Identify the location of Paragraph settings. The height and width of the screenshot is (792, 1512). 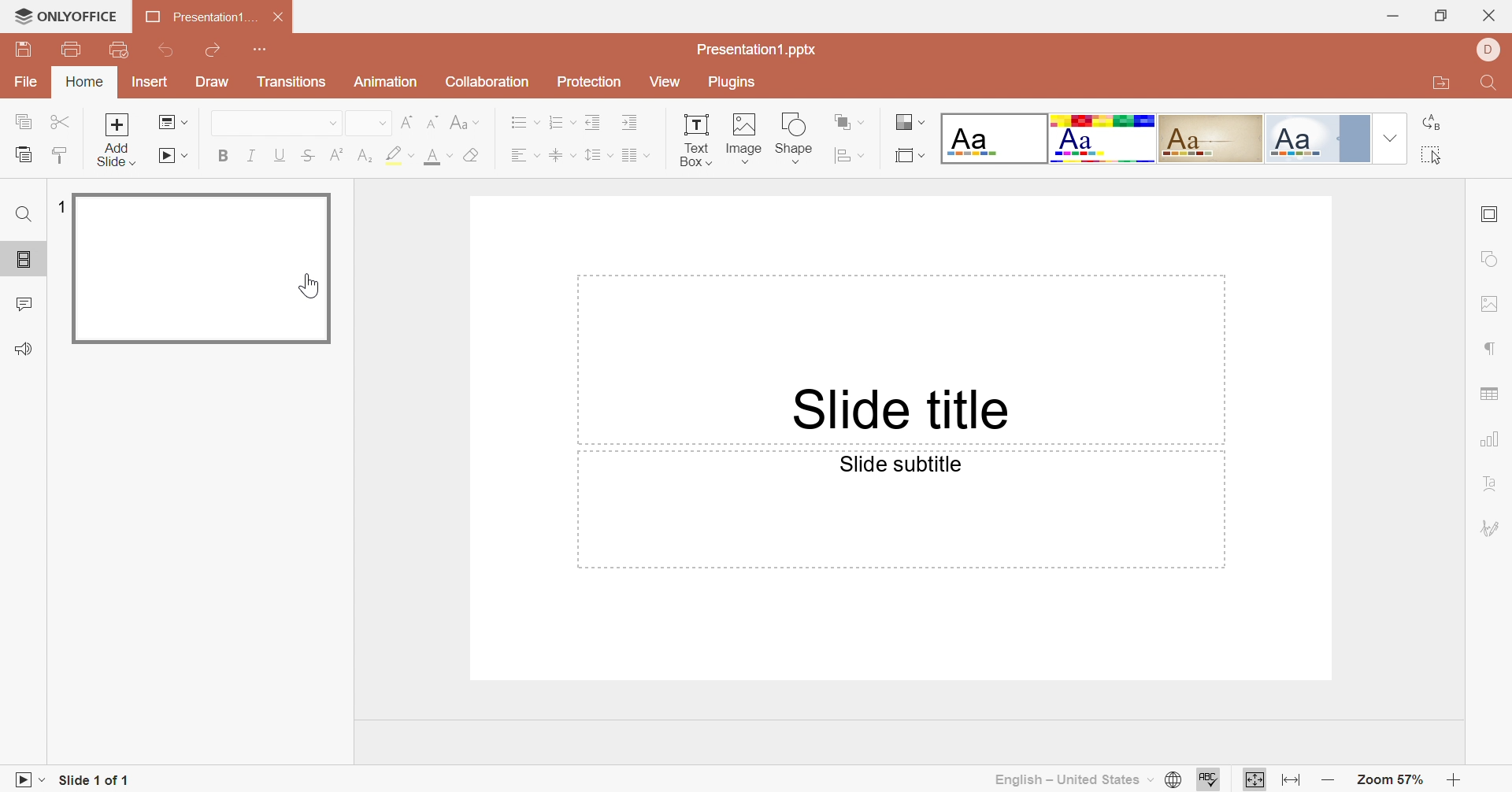
(1491, 350).